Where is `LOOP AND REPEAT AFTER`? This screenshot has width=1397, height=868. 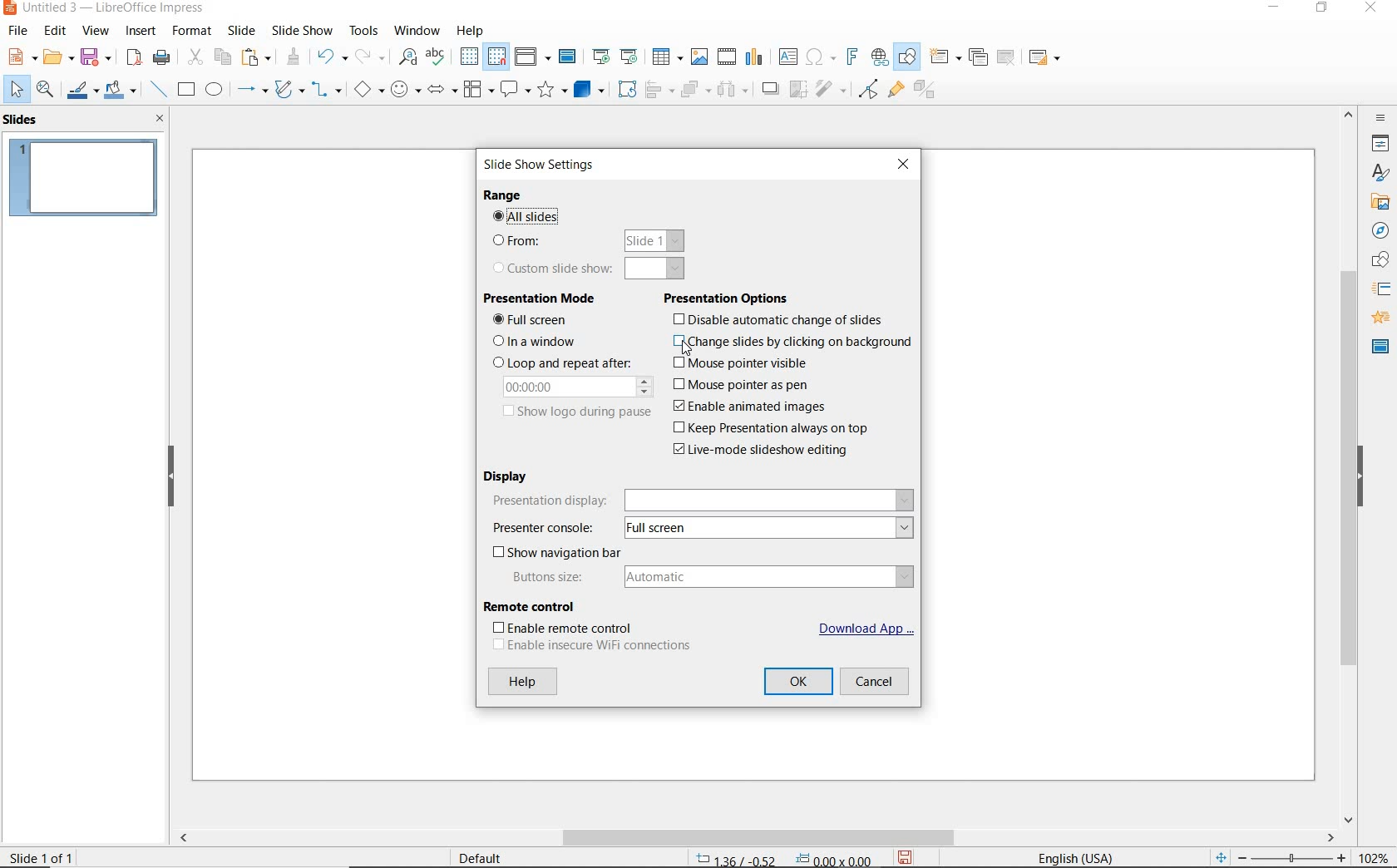
LOOP AND REPEAT AFTER is located at coordinates (557, 364).